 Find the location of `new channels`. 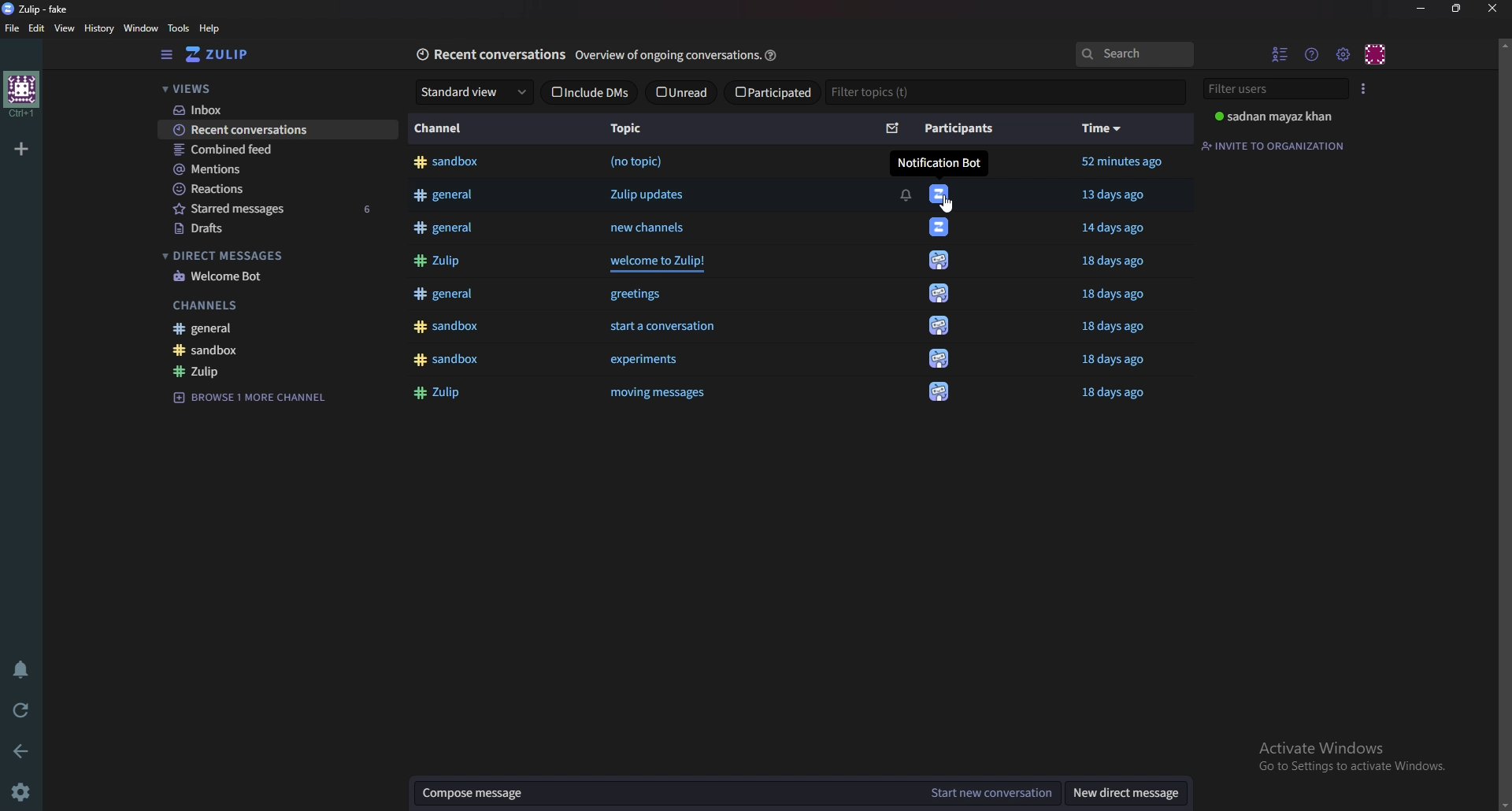

new channels is located at coordinates (651, 227).